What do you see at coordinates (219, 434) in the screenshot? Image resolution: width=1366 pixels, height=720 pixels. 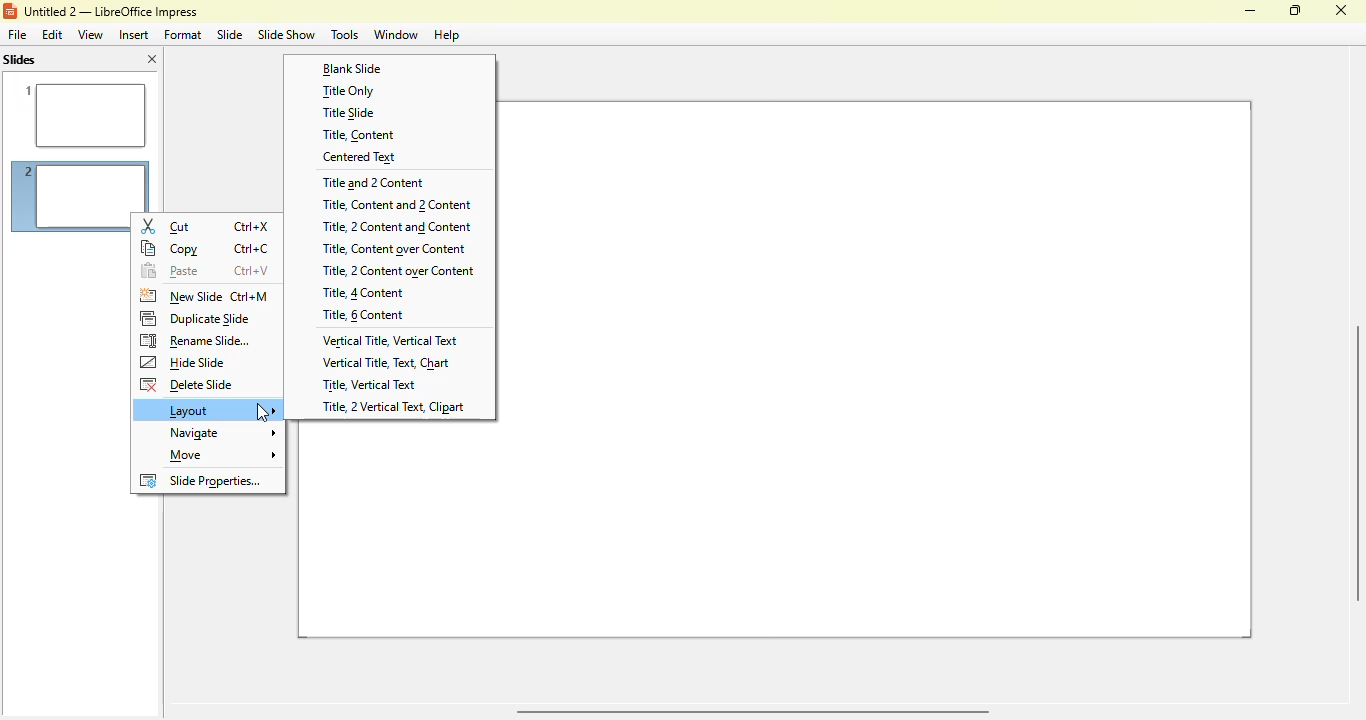 I see `navigate` at bounding box center [219, 434].